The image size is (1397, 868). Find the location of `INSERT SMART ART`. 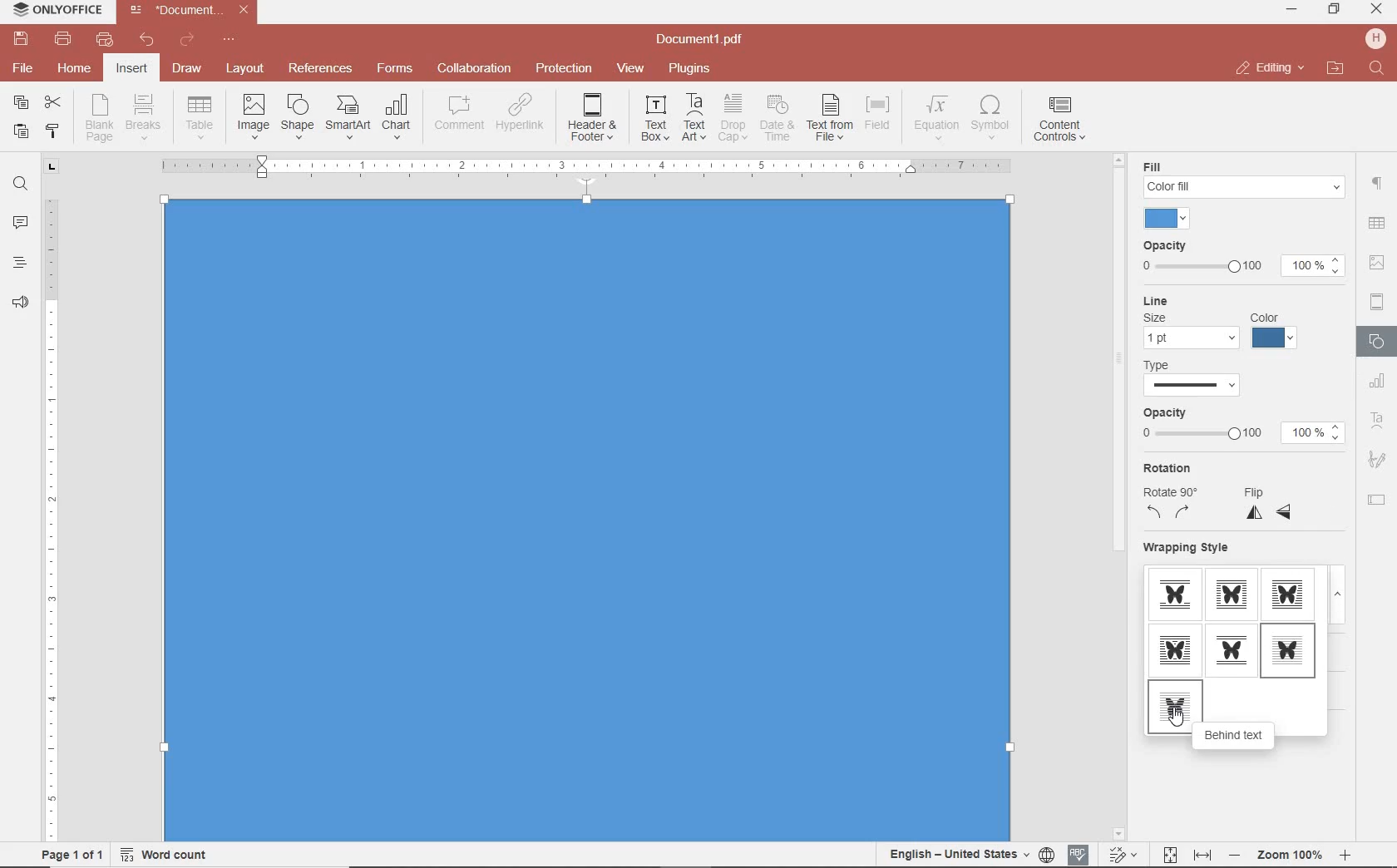

INSERT SMART ART is located at coordinates (348, 116).